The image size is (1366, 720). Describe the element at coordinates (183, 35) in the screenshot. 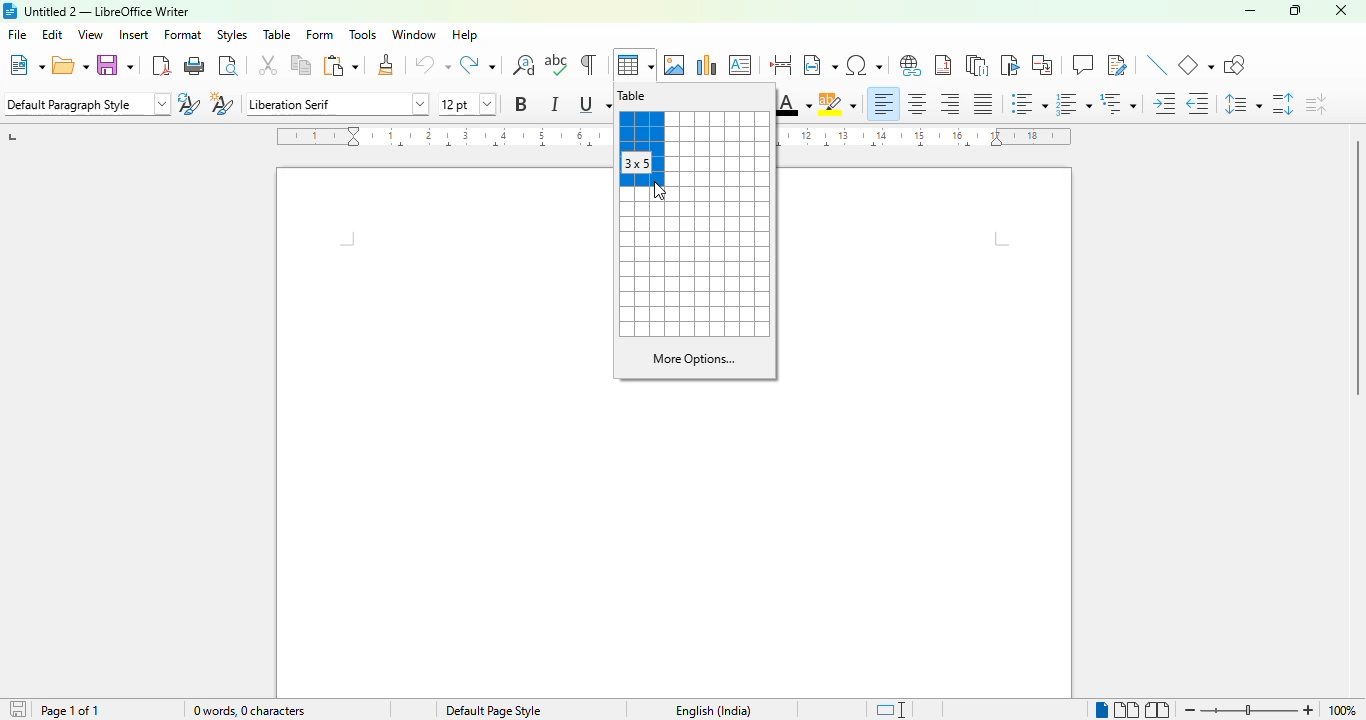

I see `format` at that location.